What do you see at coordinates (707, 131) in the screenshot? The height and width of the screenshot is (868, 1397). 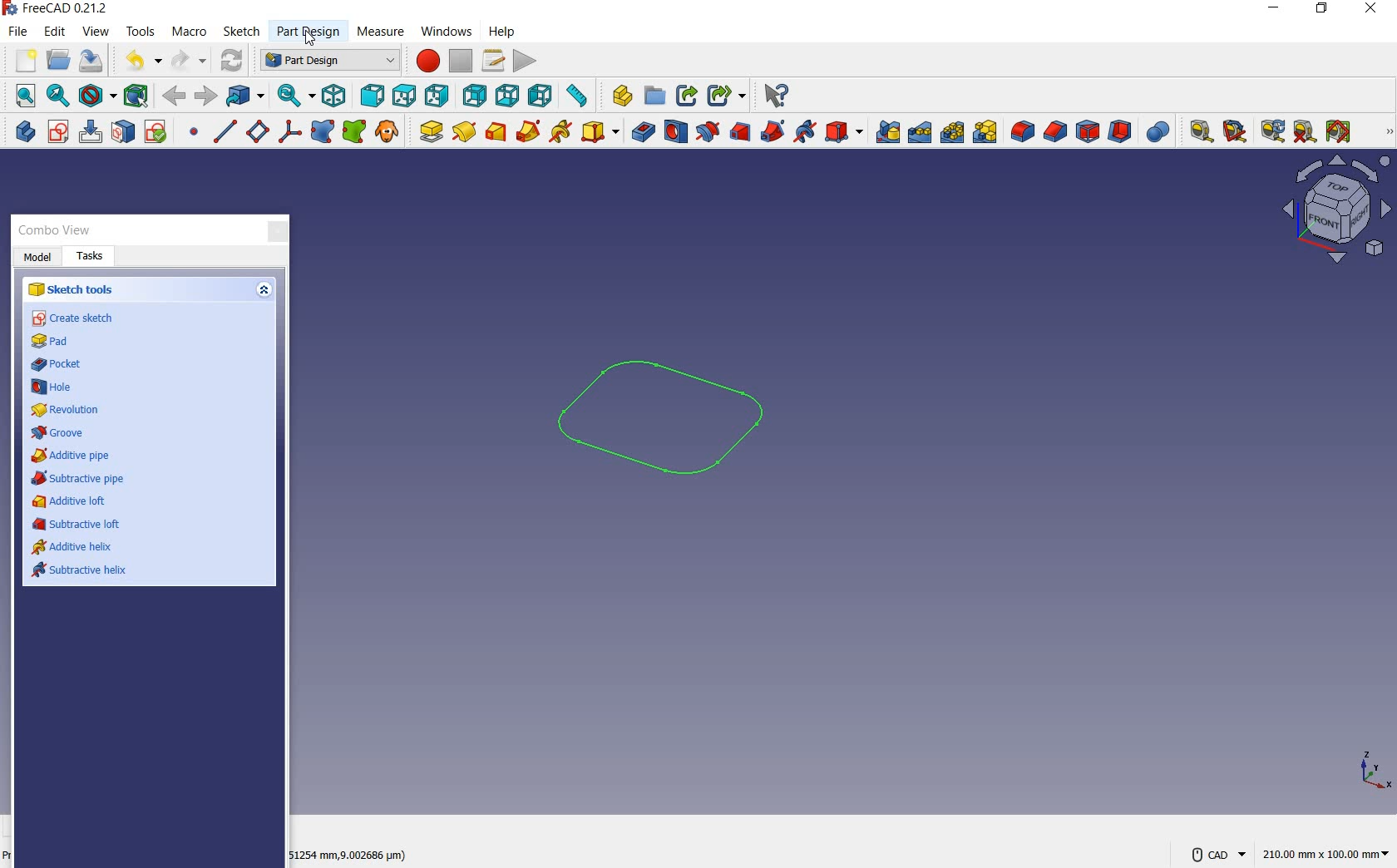 I see `groove` at bounding box center [707, 131].